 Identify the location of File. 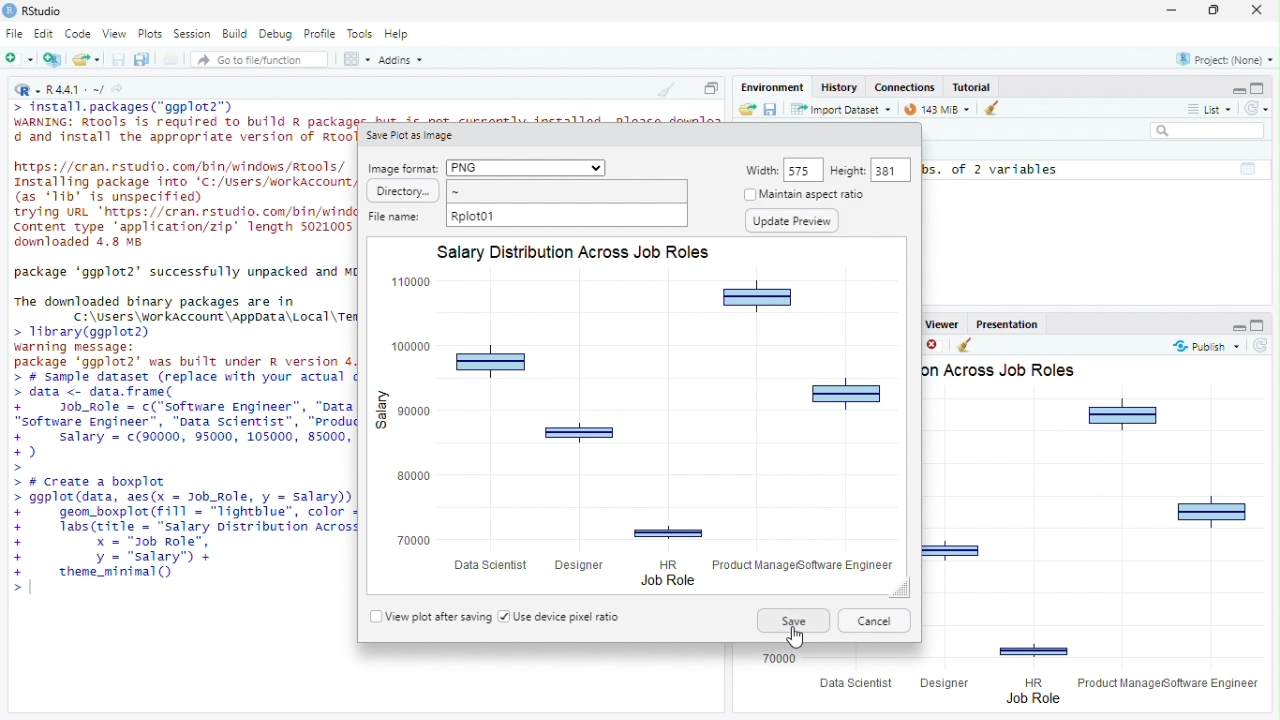
(15, 35).